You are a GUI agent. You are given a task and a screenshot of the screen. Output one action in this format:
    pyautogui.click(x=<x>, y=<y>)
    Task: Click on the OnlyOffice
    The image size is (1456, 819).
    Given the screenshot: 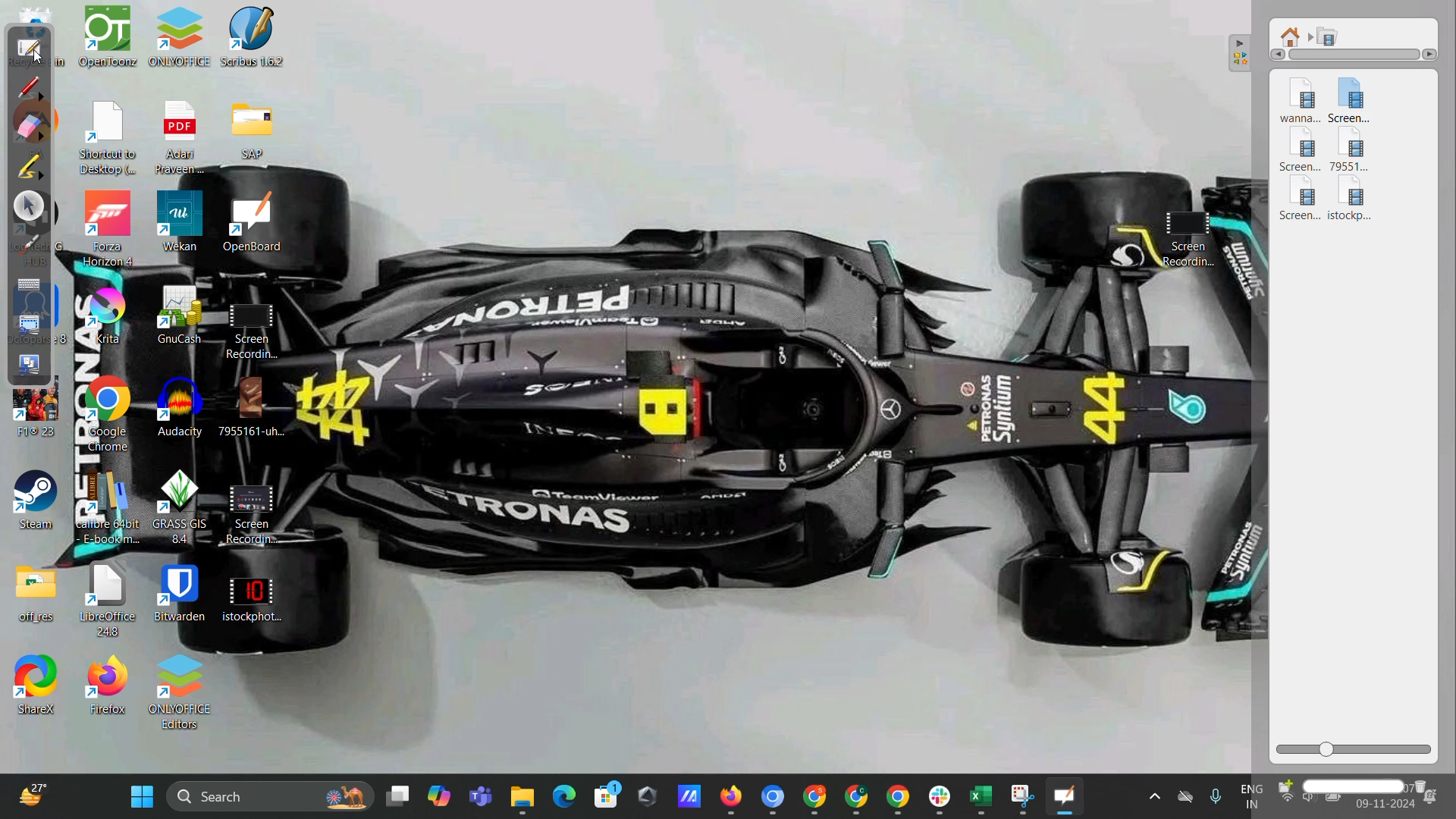 What is the action you would take?
    pyautogui.click(x=181, y=44)
    